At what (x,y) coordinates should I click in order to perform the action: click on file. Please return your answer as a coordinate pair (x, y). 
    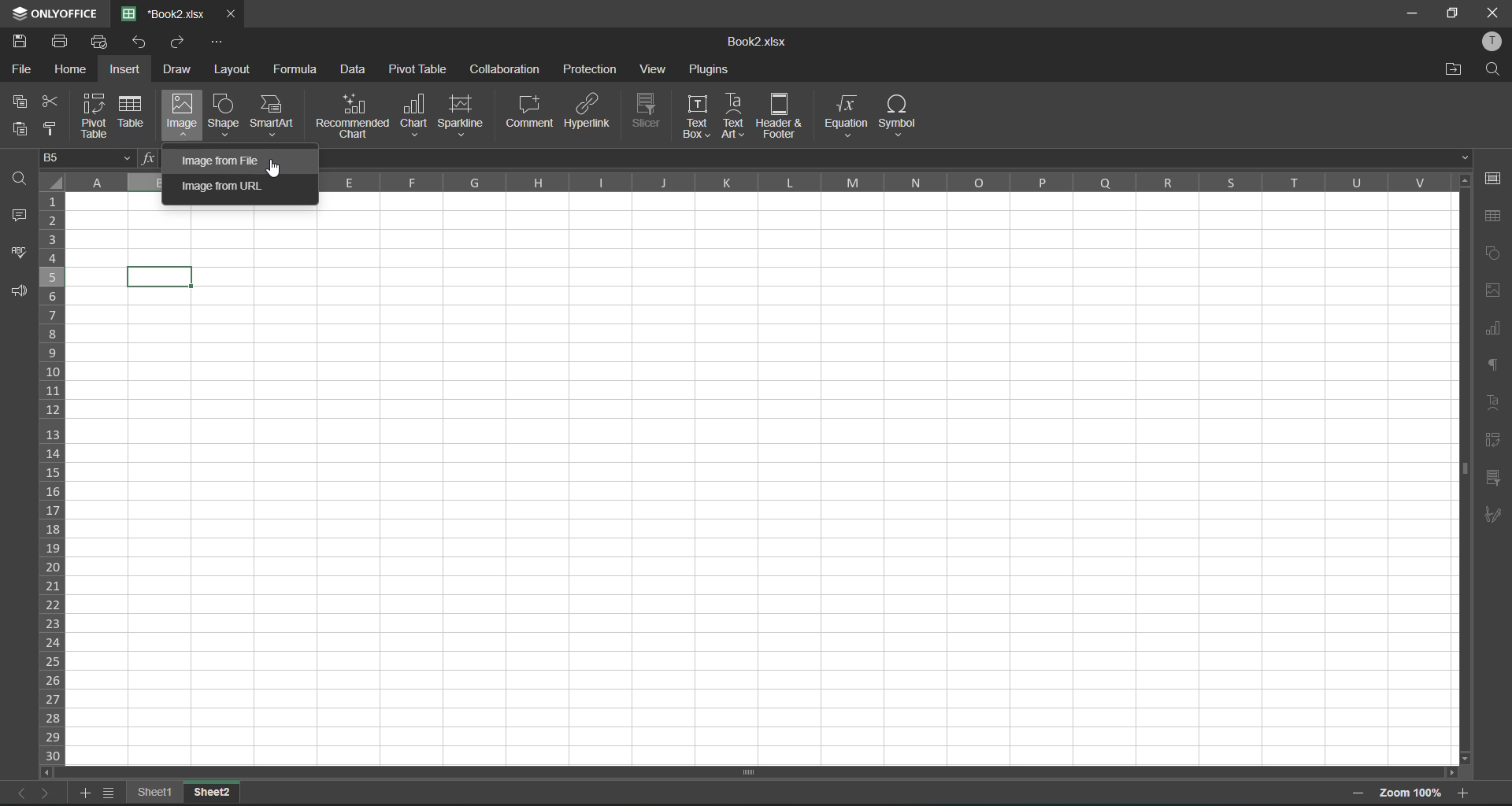
    Looking at the image, I should click on (20, 70).